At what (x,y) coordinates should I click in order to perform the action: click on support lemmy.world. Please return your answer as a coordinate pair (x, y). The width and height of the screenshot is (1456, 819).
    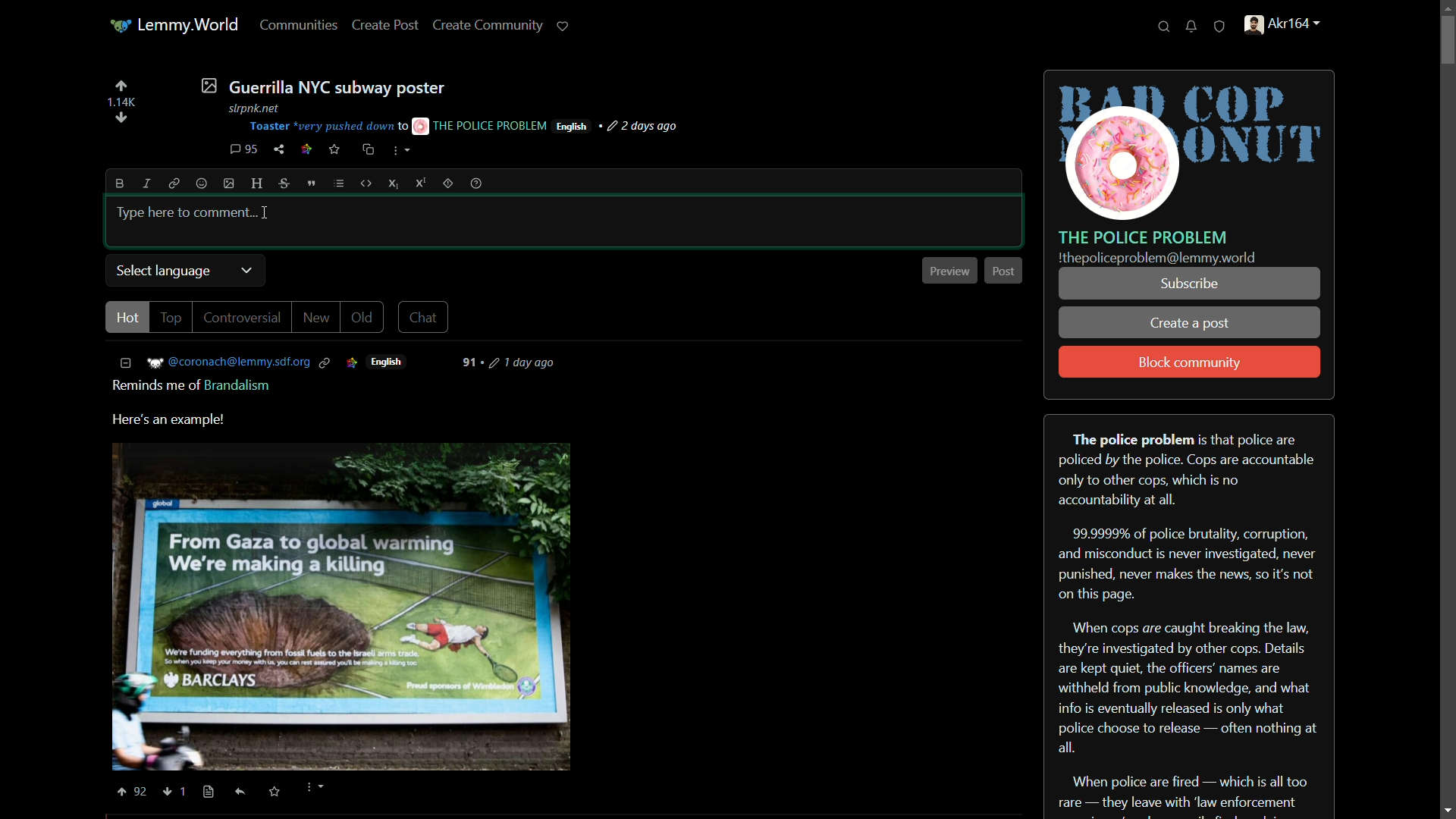
    Looking at the image, I should click on (563, 26).